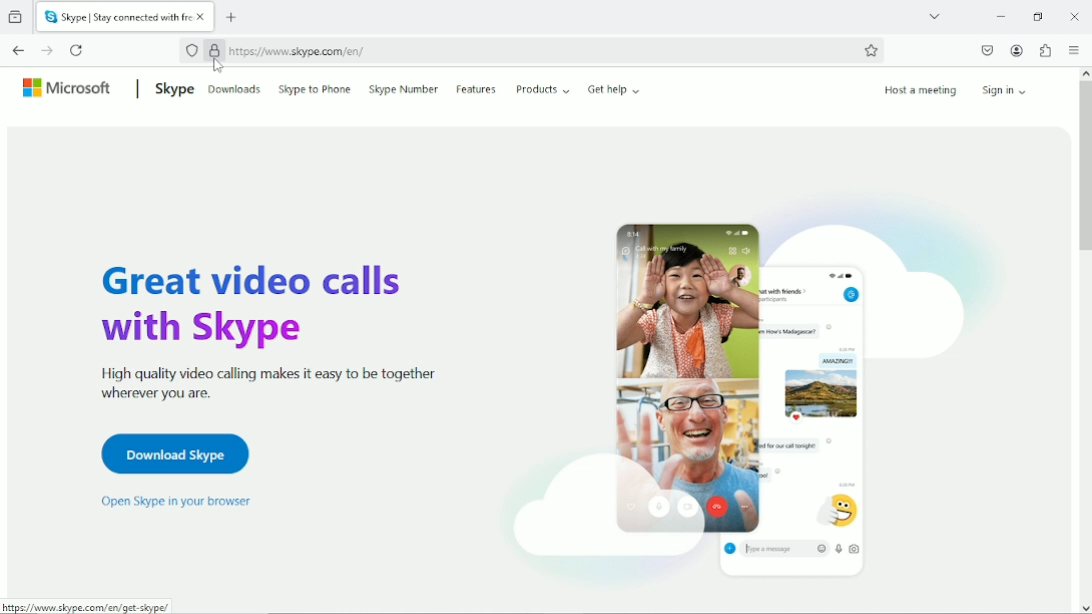 Image resolution: width=1092 pixels, height=614 pixels. Describe the element at coordinates (19, 50) in the screenshot. I see `Go back` at that location.